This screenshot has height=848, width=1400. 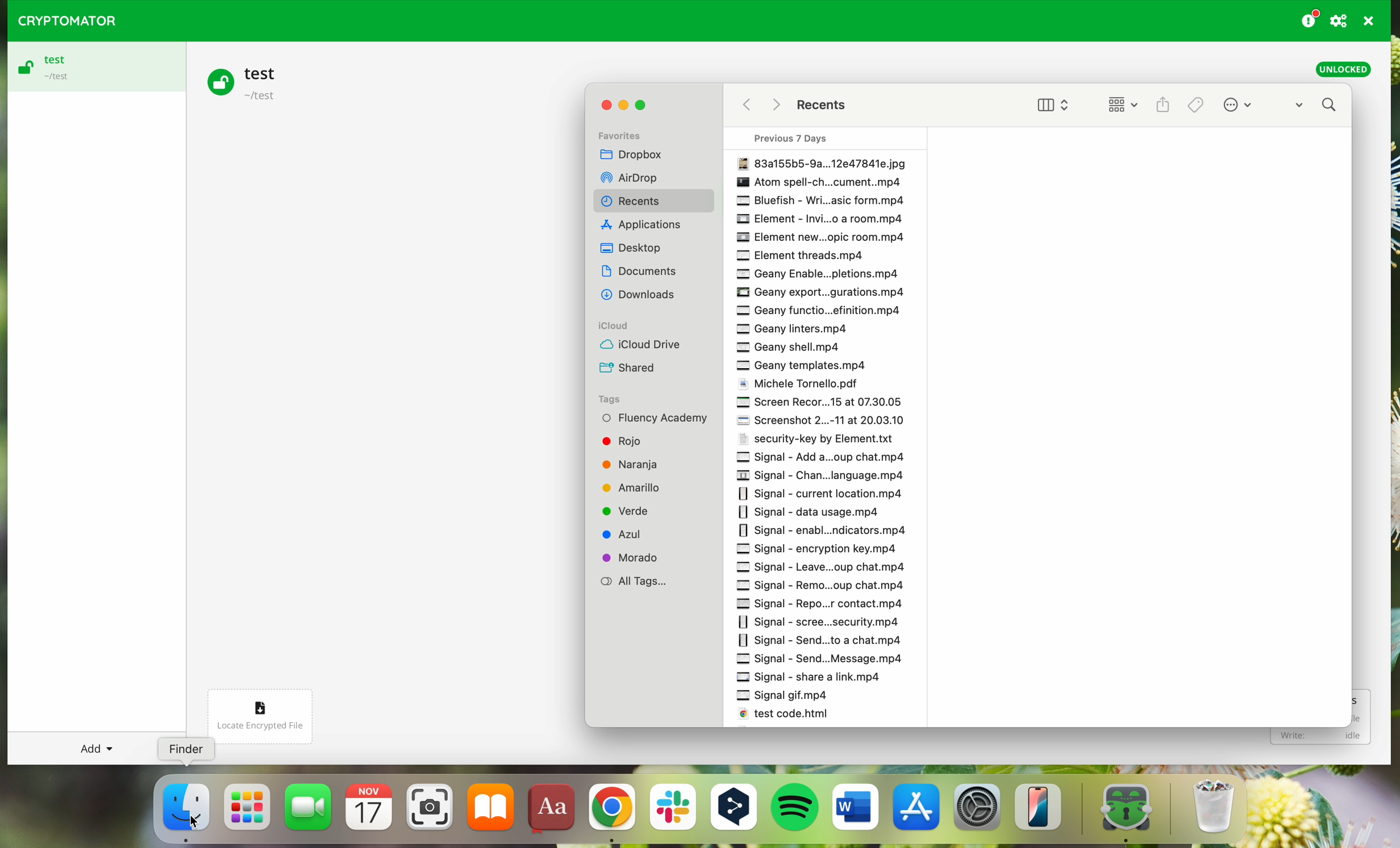 What do you see at coordinates (1118, 811) in the screenshot?
I see `cryptomator app` at bounding box center [1118, 811].